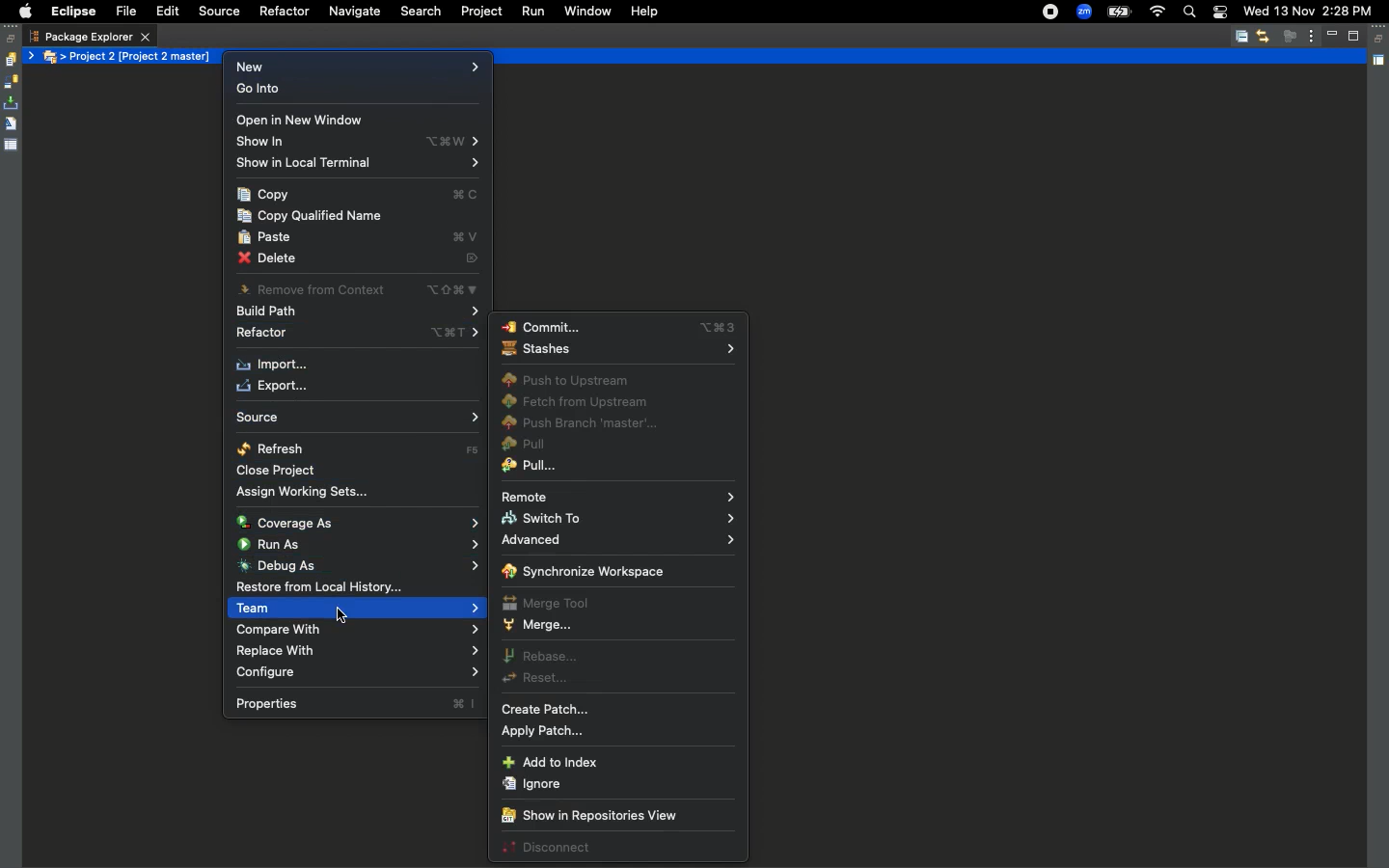  Describe the element at coordinates (1188, 14) in the screenshot. I see `Search` at that location.